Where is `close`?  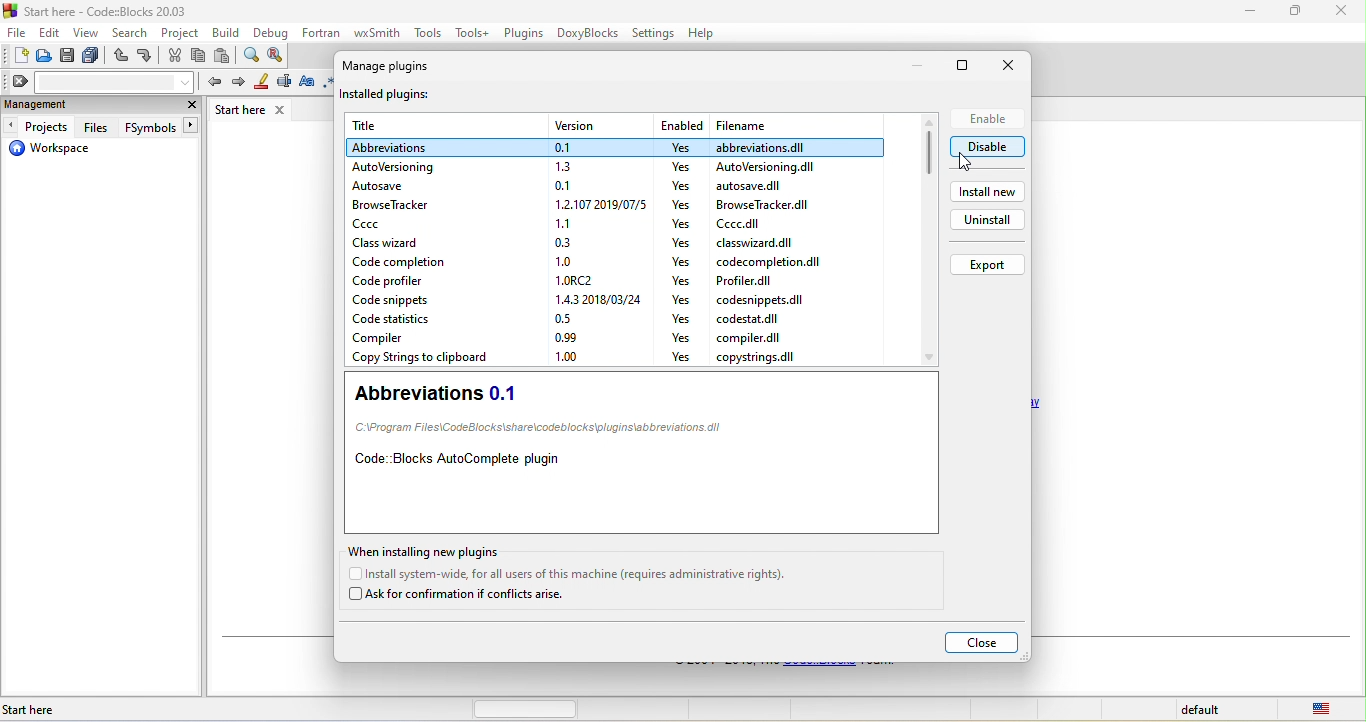
close is located at coordinates (190, 104).